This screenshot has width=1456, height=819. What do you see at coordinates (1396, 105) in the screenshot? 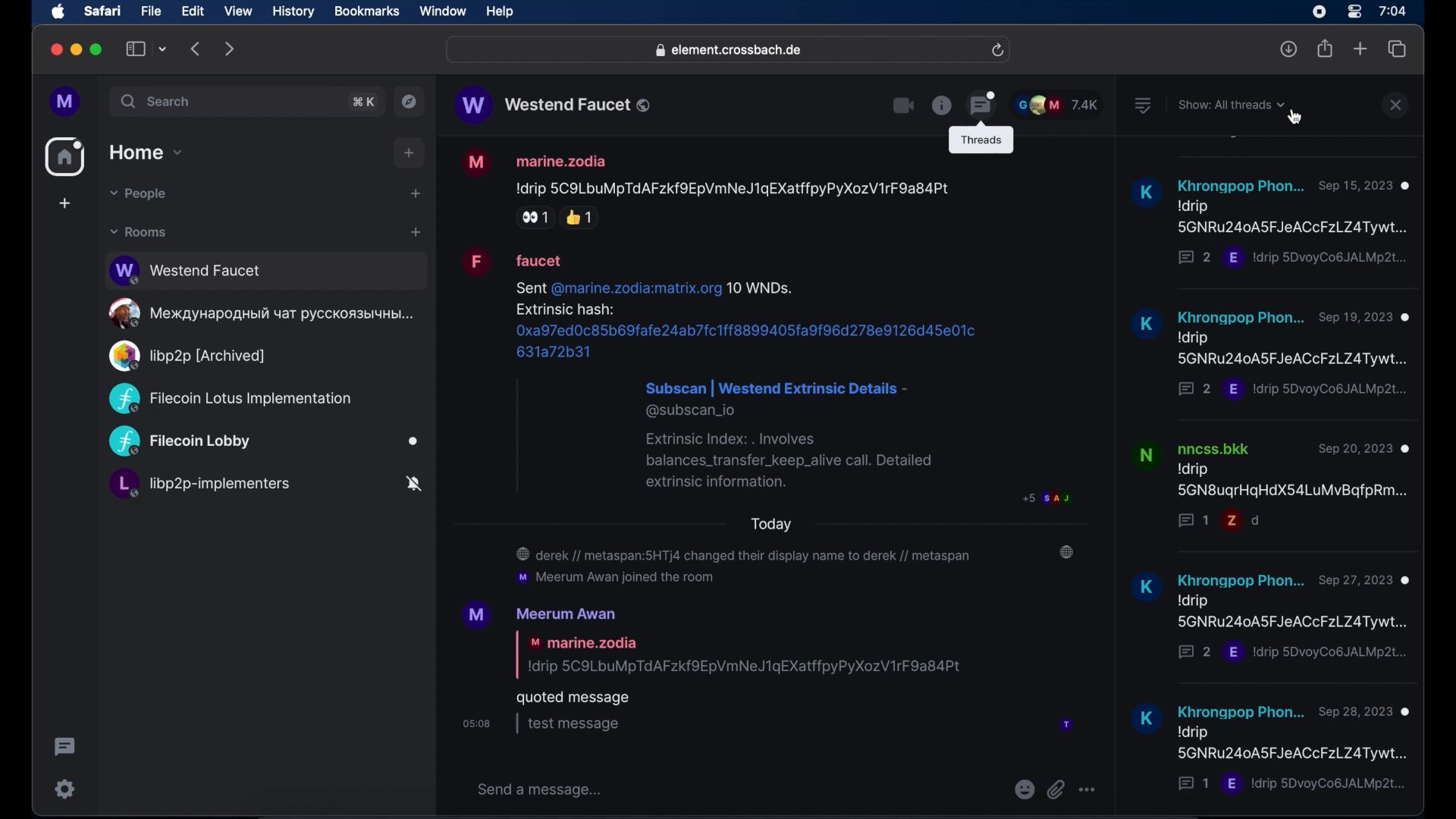
I see `close` at bounding box center [1396, 105].